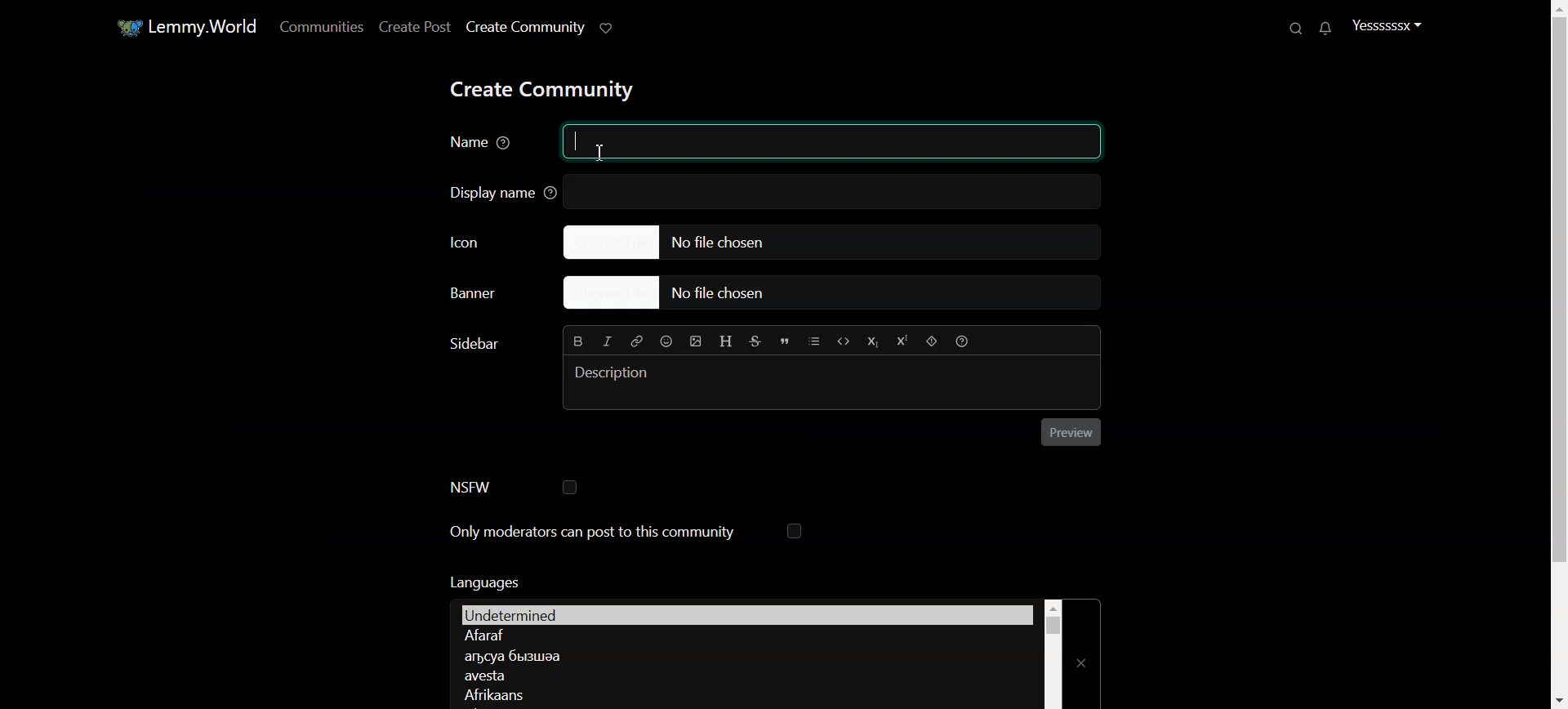 Image resolution: width=1568 pixels, height=709 pixels. What do you see at coordinates (1387, 25) in the screenshot?
I see `Profile` at bounding box center [1387, 25].